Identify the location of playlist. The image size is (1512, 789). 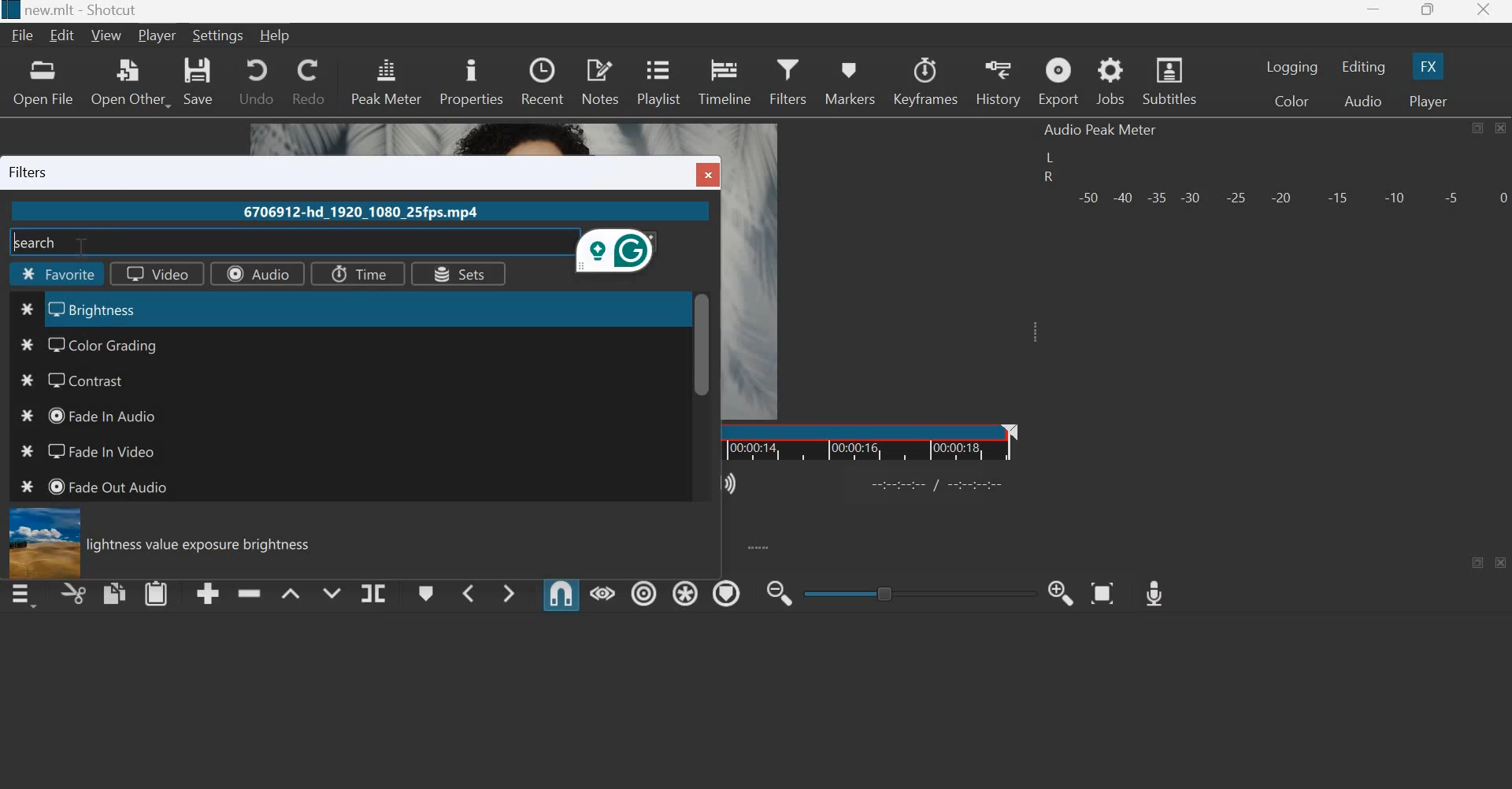
(658, 80).